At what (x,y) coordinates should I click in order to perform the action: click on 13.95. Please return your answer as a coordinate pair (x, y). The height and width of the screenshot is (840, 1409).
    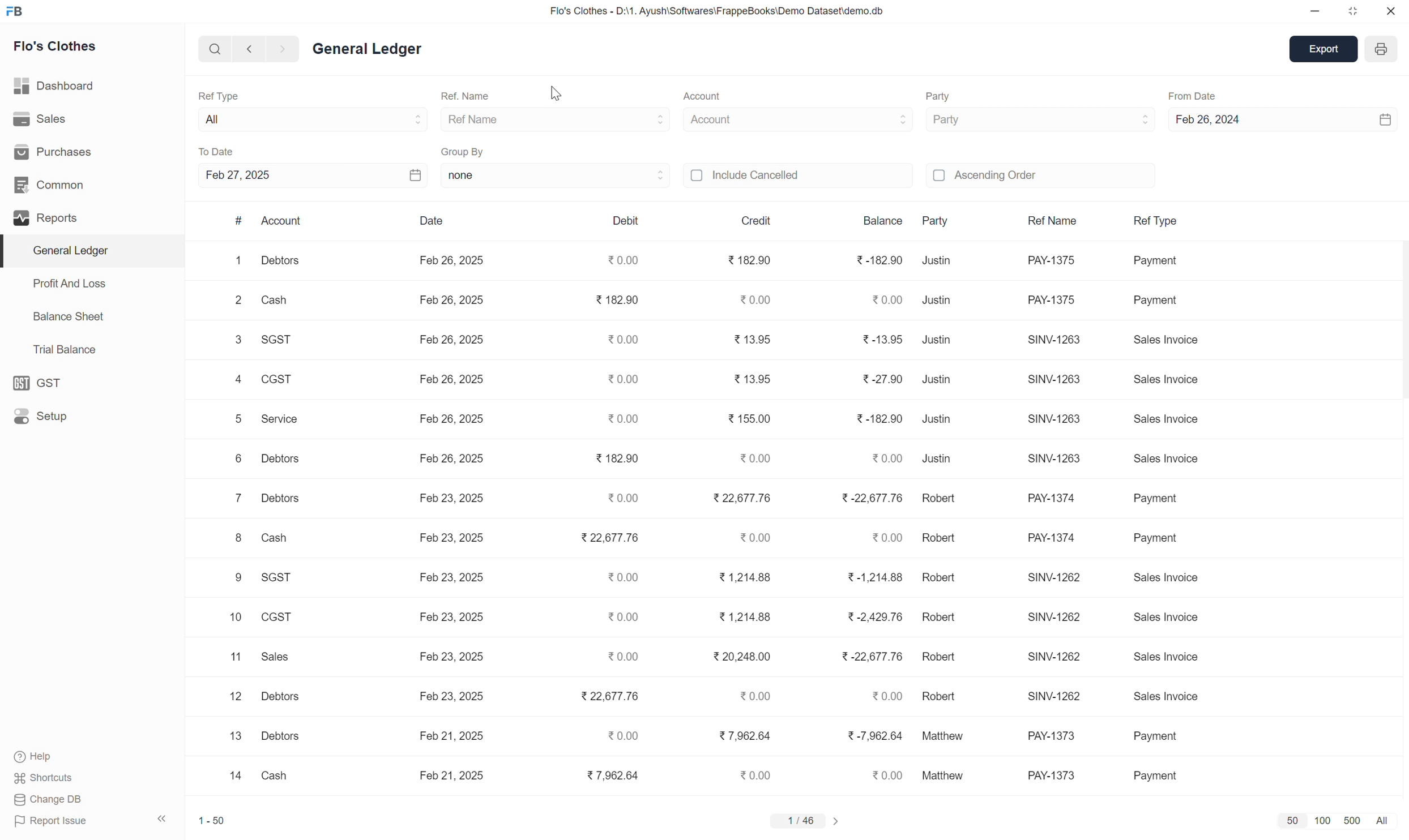
    Looking at the image, I should click on (752, 338).